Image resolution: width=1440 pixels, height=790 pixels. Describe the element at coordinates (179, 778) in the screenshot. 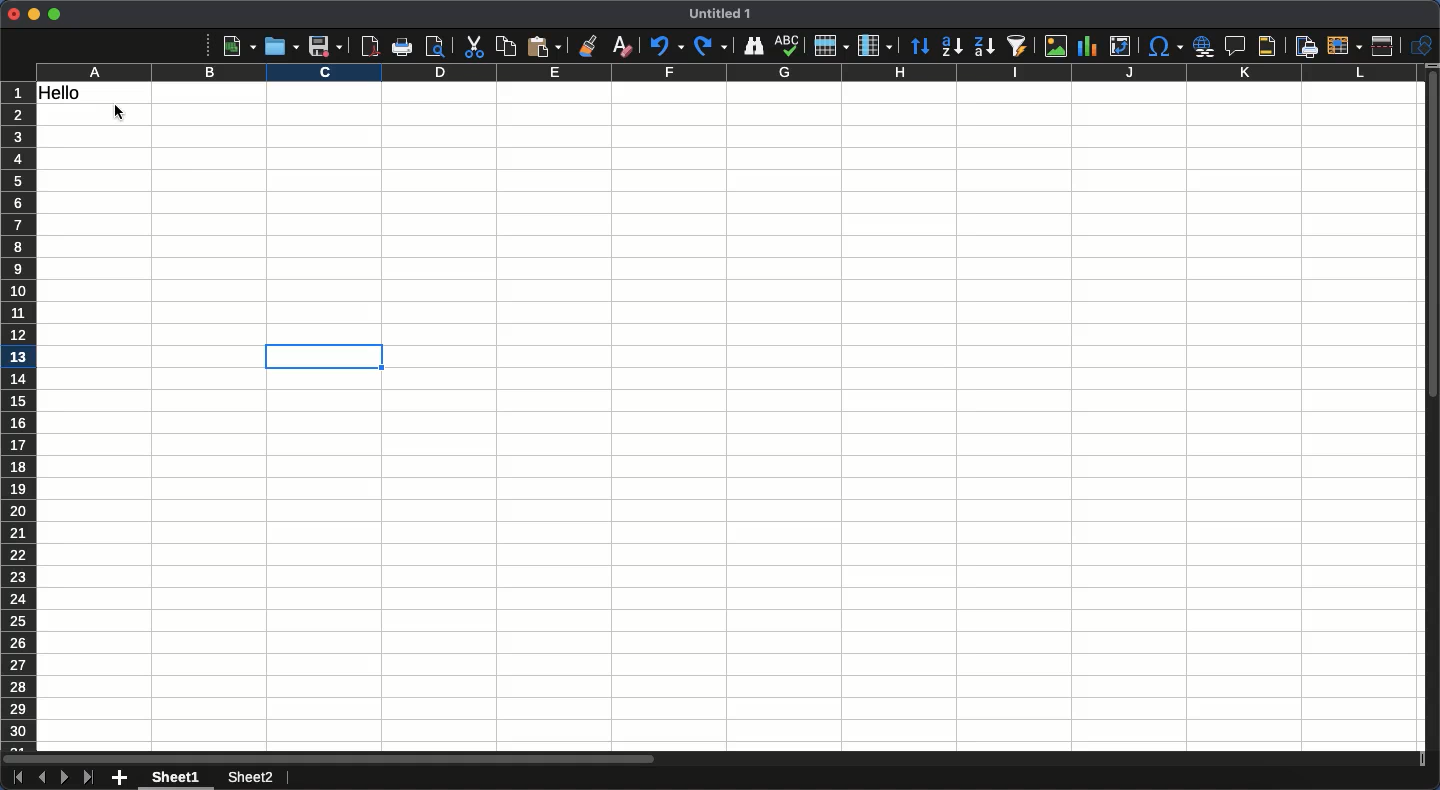

I see `Sheet 1` at that location.